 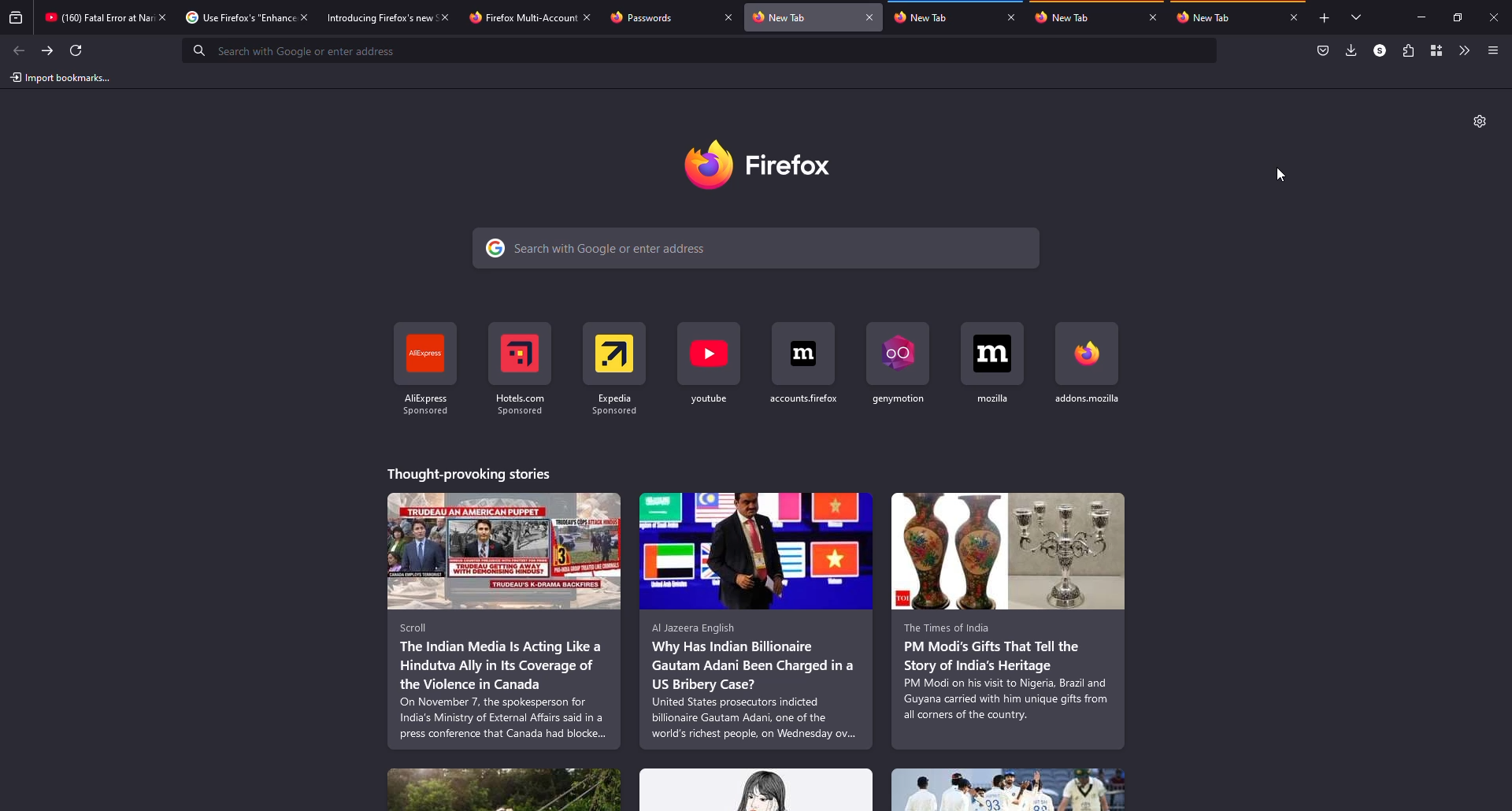 What do you see at coordinates (1352, 17) in the screenshot?
I see `tabs` at bounding box center [1352, 17].